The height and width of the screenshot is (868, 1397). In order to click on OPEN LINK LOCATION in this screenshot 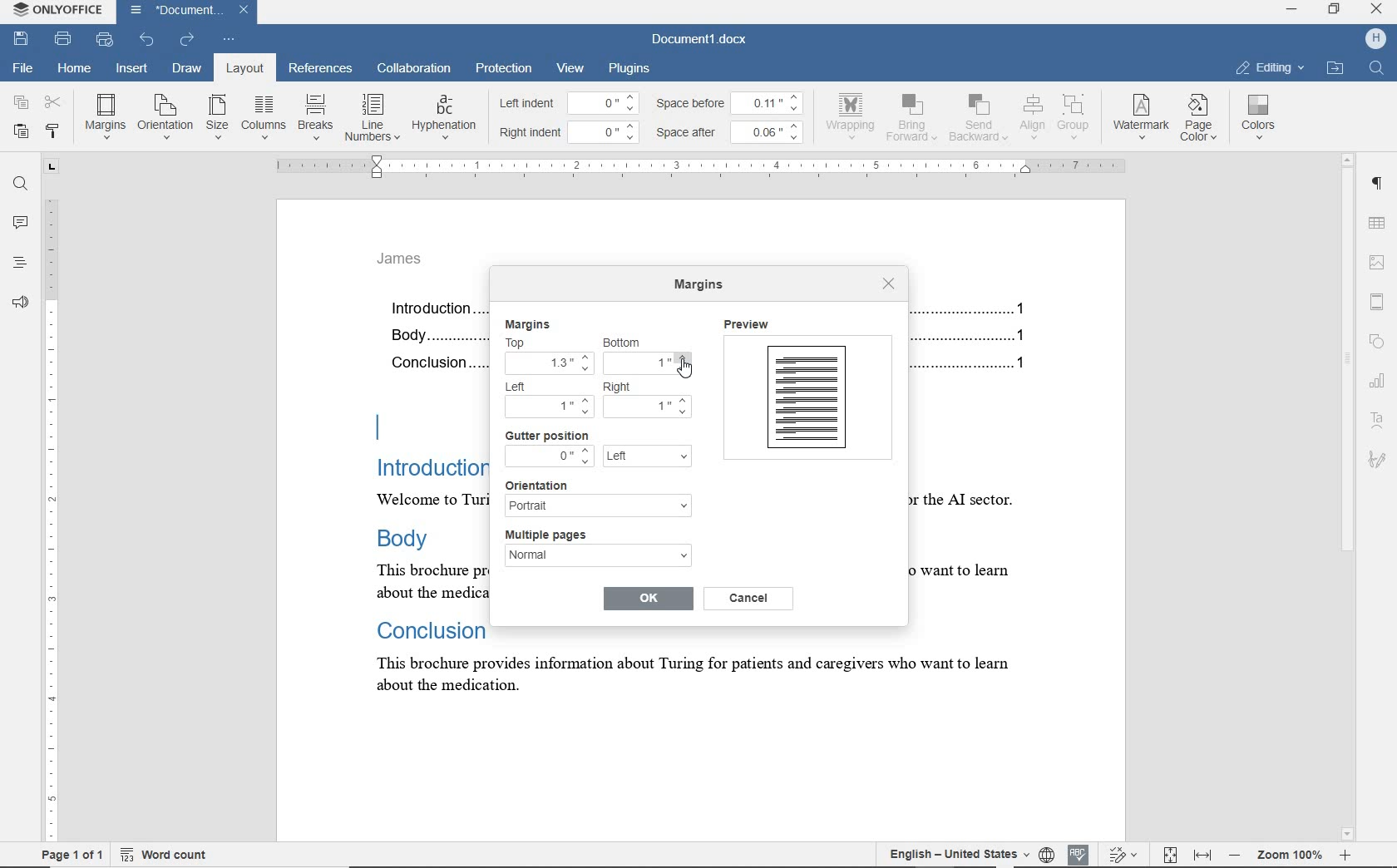, I will do `click(1338, 67)`.